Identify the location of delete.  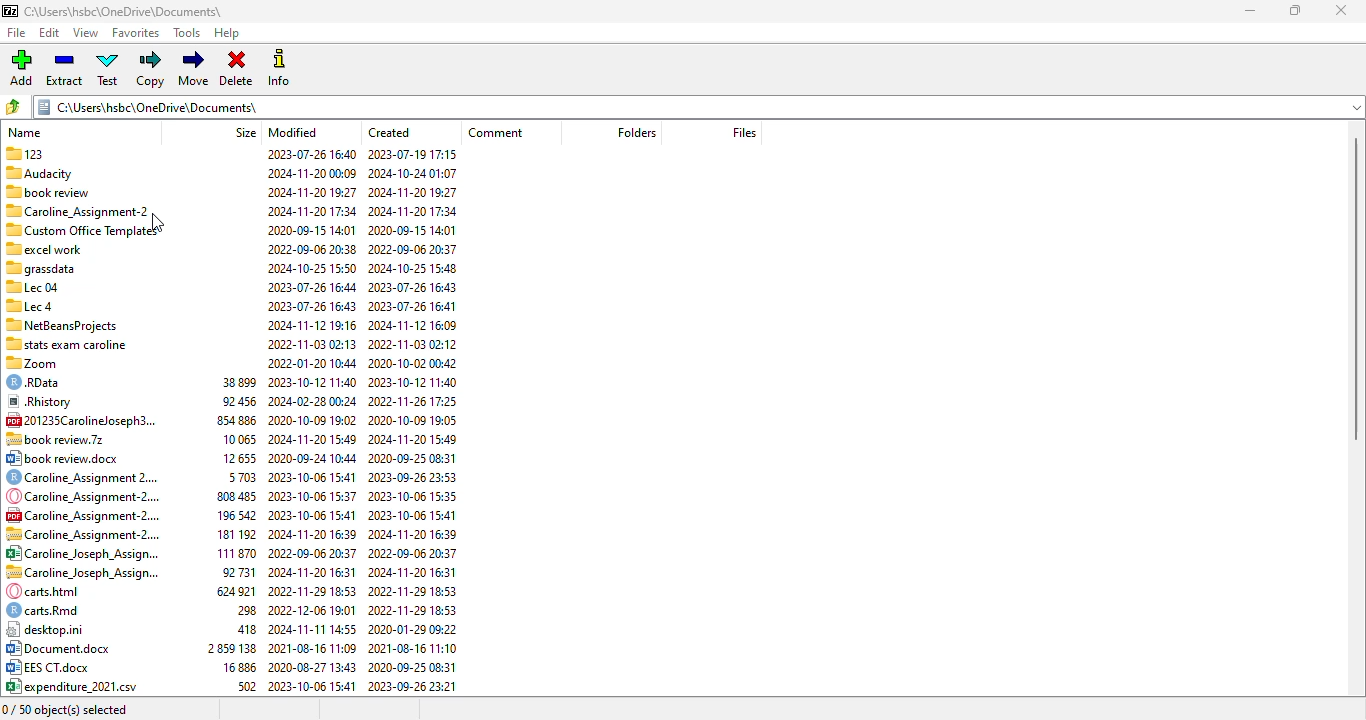
(236, 68).